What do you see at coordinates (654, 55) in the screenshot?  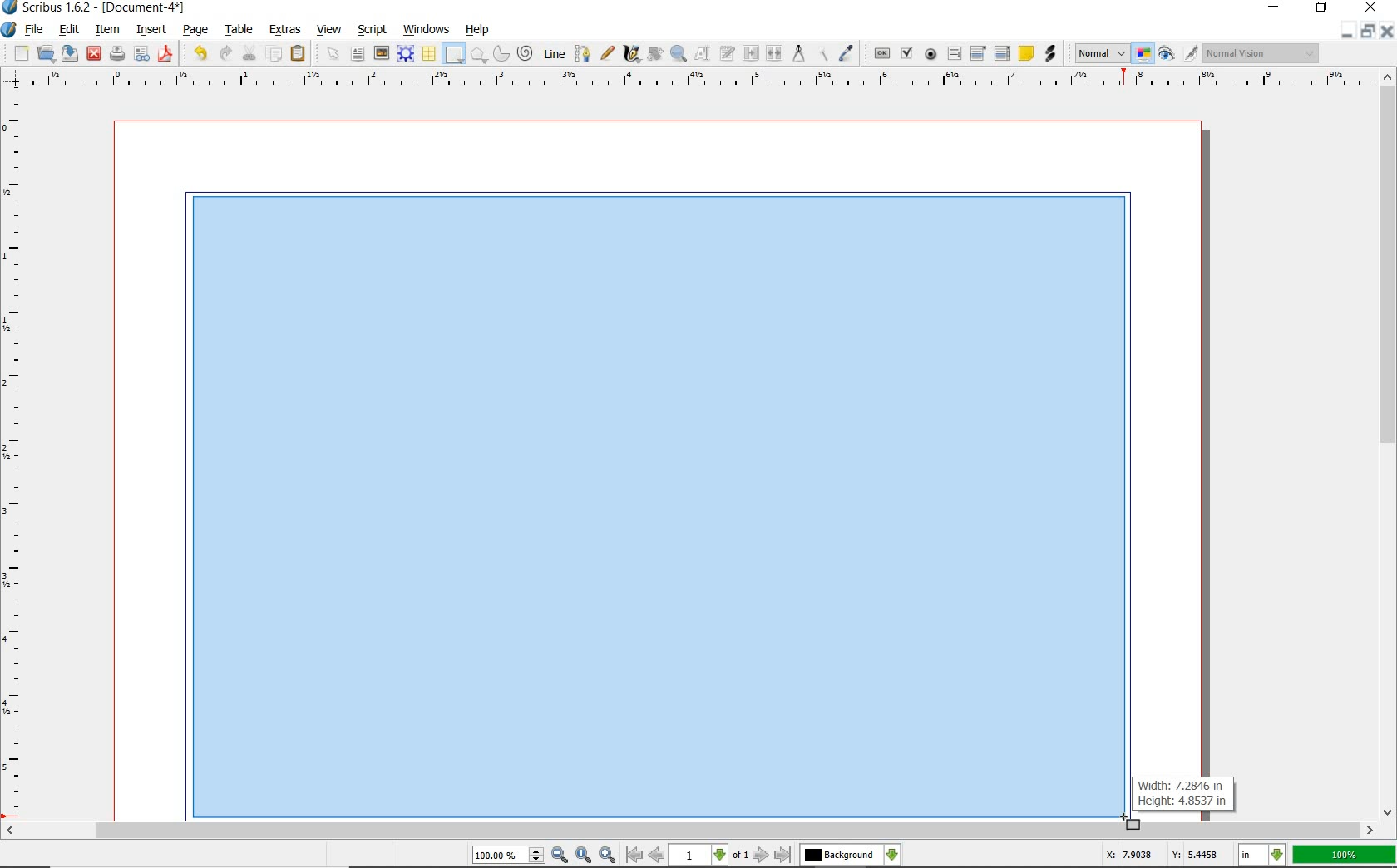 I see `rotate item` at bounding box center [654, 55].